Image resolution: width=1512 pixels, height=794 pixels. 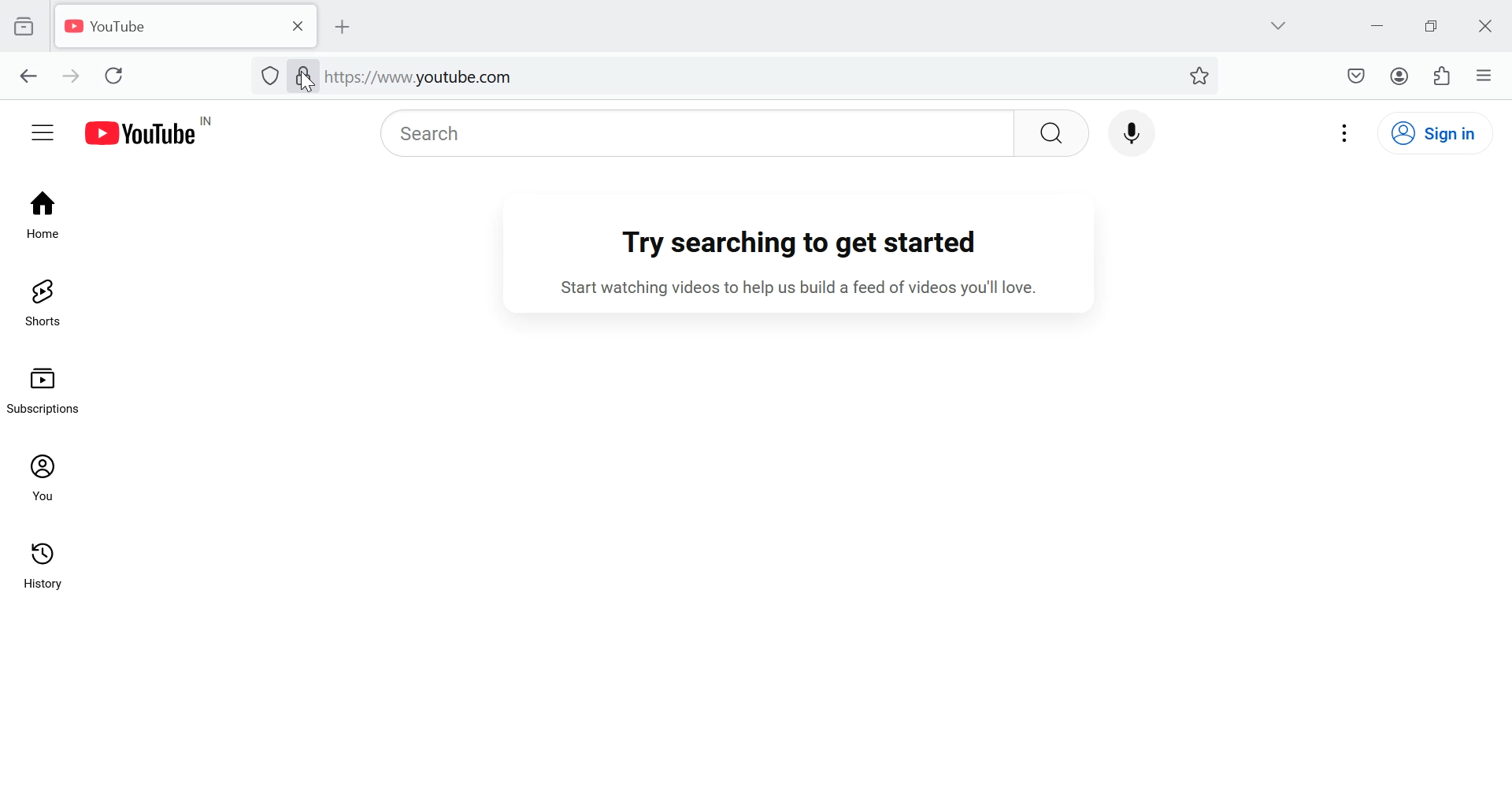 I want to click on YouTube Home, so click(x=160, y=132).